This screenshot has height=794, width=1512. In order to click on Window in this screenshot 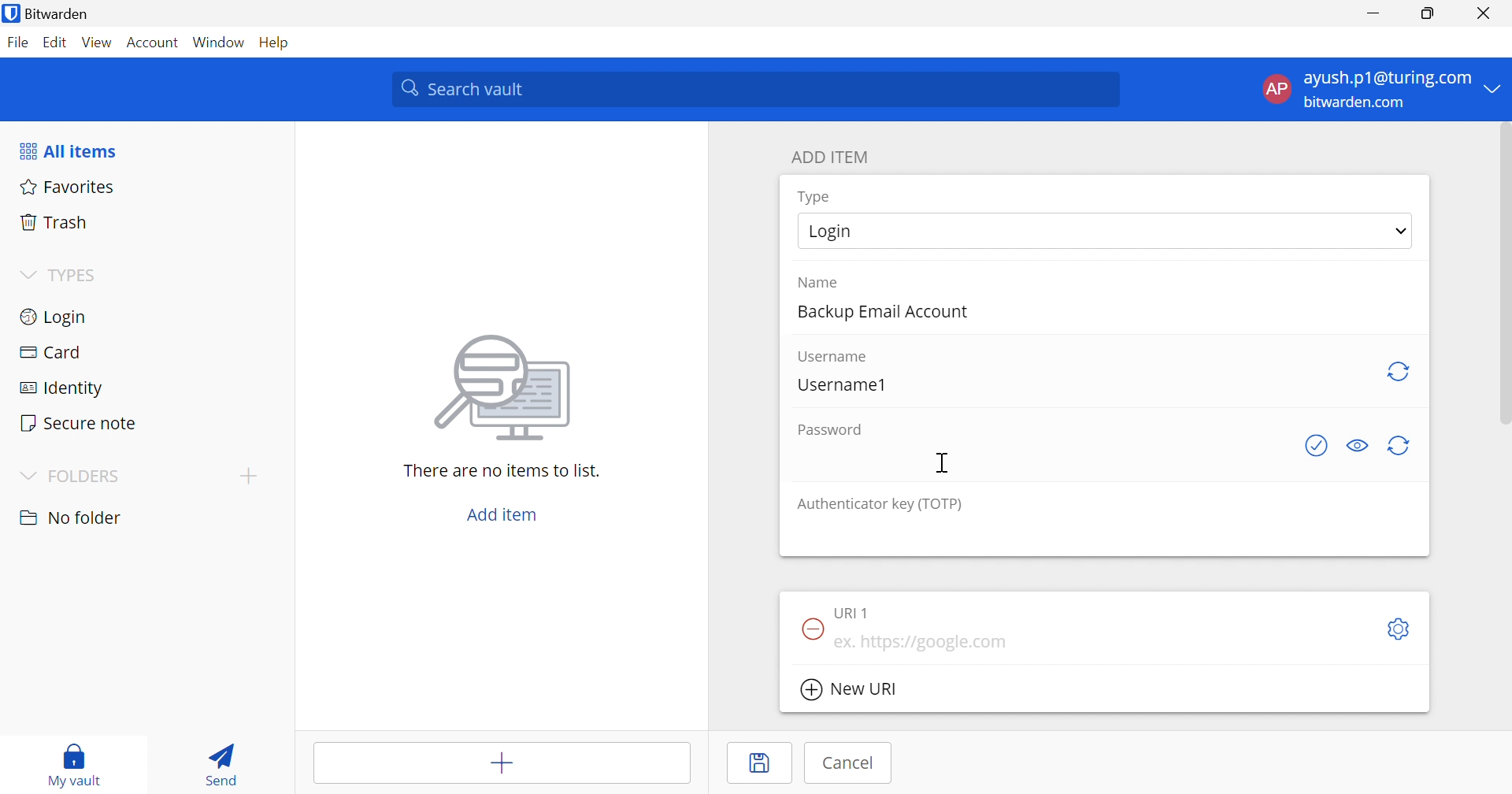, I will do `click(218, 40)`.